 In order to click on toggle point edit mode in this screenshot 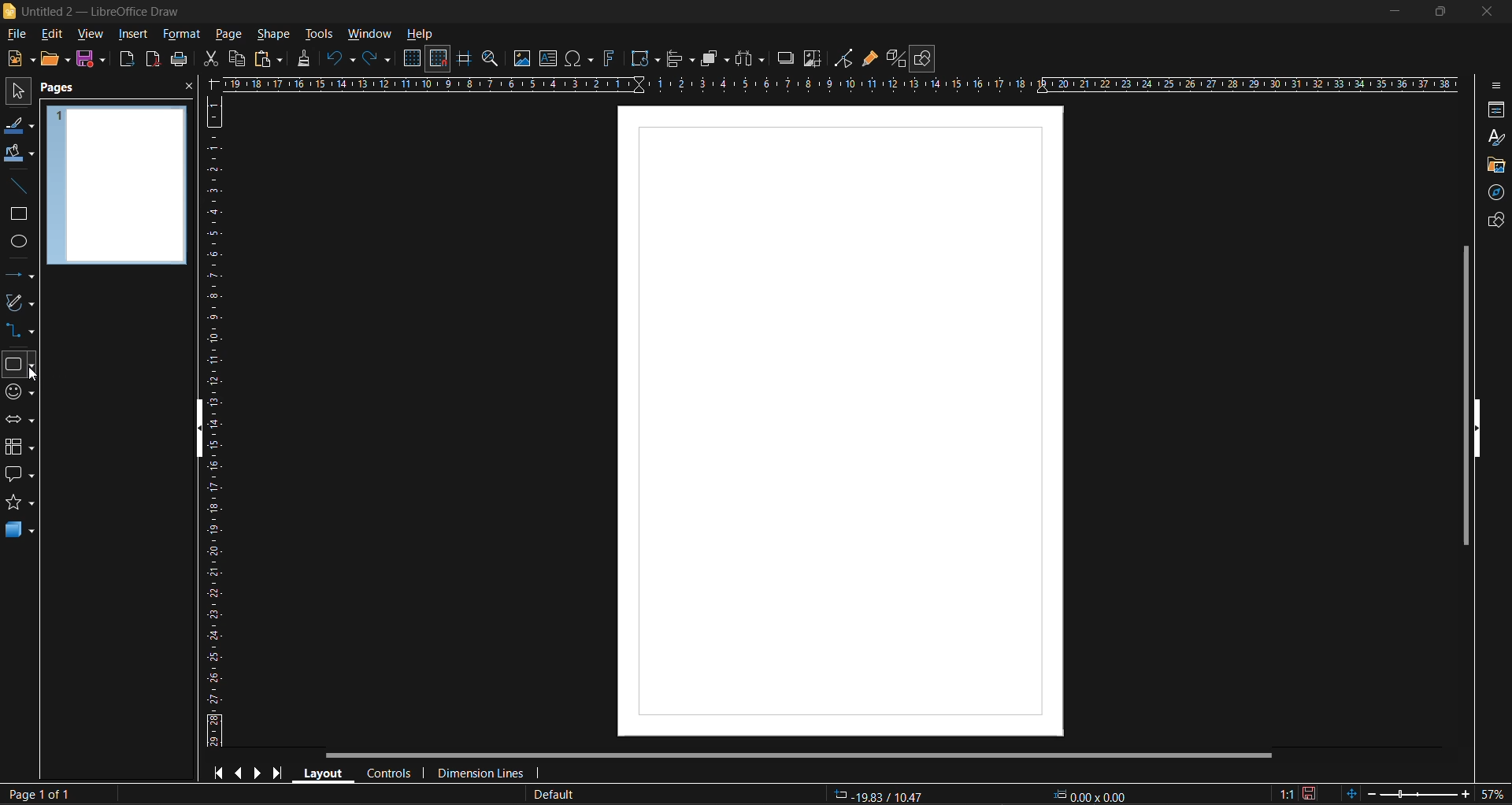, I will do `click(846, 59)`.